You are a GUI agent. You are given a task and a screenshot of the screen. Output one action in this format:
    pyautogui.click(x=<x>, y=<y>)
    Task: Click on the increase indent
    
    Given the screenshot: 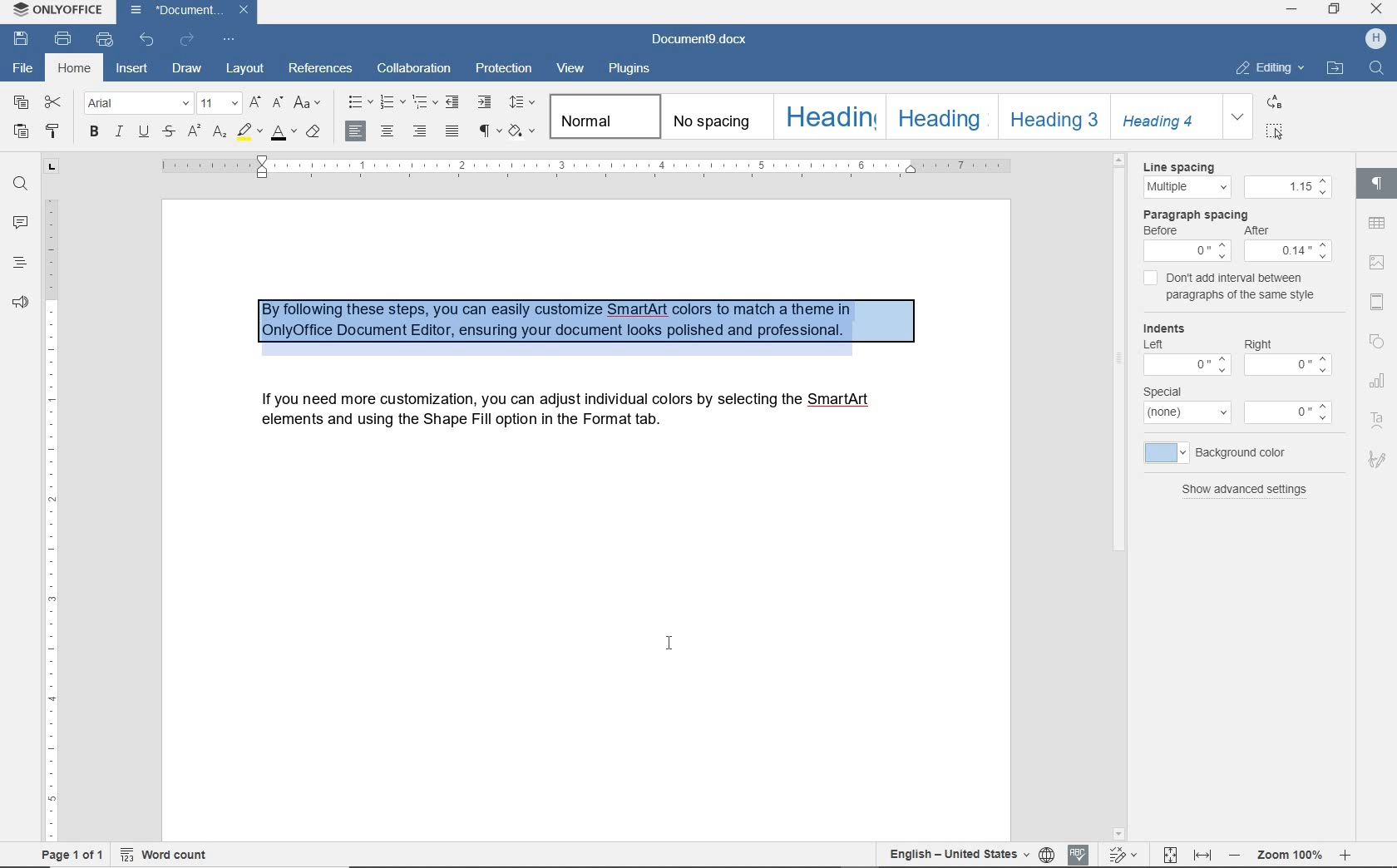 What is the action you would take?
    pyautogui.click(x=485, y=101)
    